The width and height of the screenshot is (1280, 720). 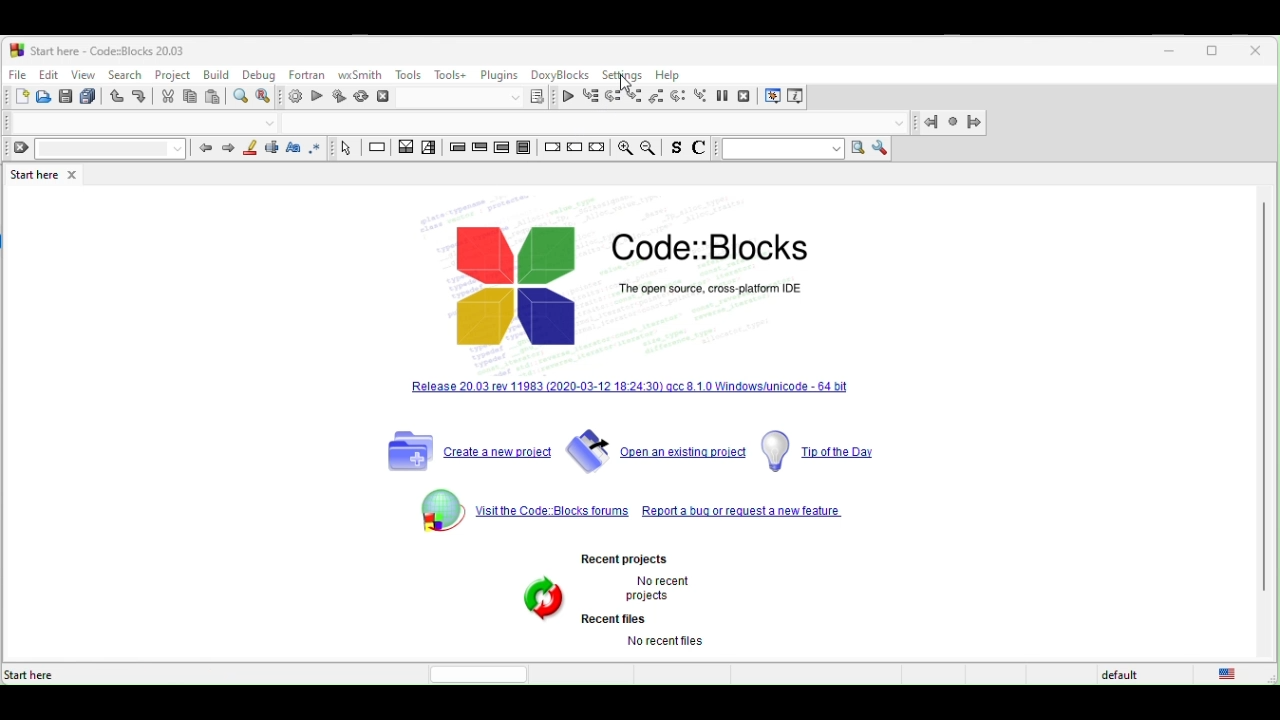 I want to click on view, so click(x=84, y=74).